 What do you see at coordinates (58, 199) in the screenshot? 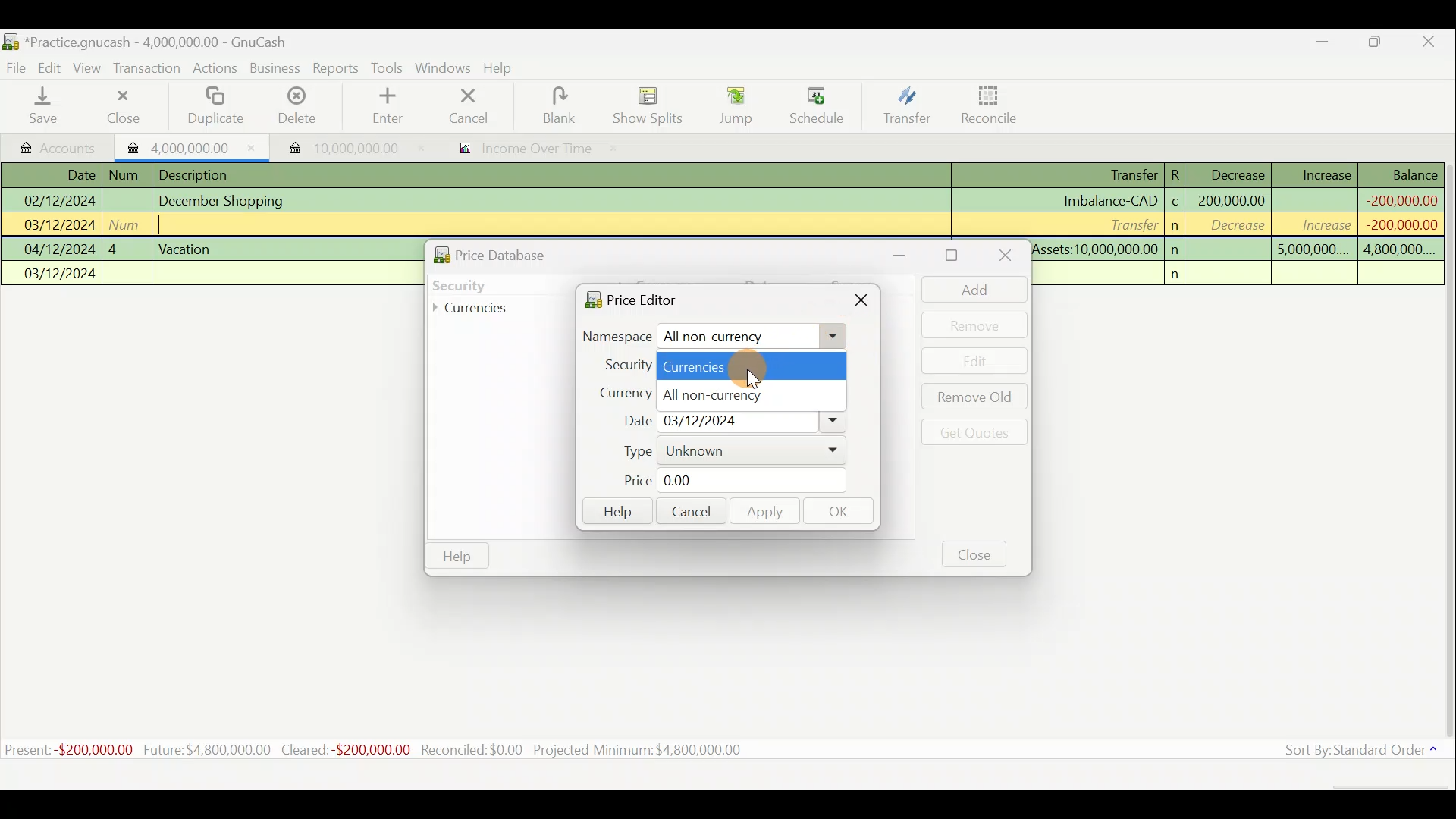
I see `02/12/2024` at bounding box center [58, 199].